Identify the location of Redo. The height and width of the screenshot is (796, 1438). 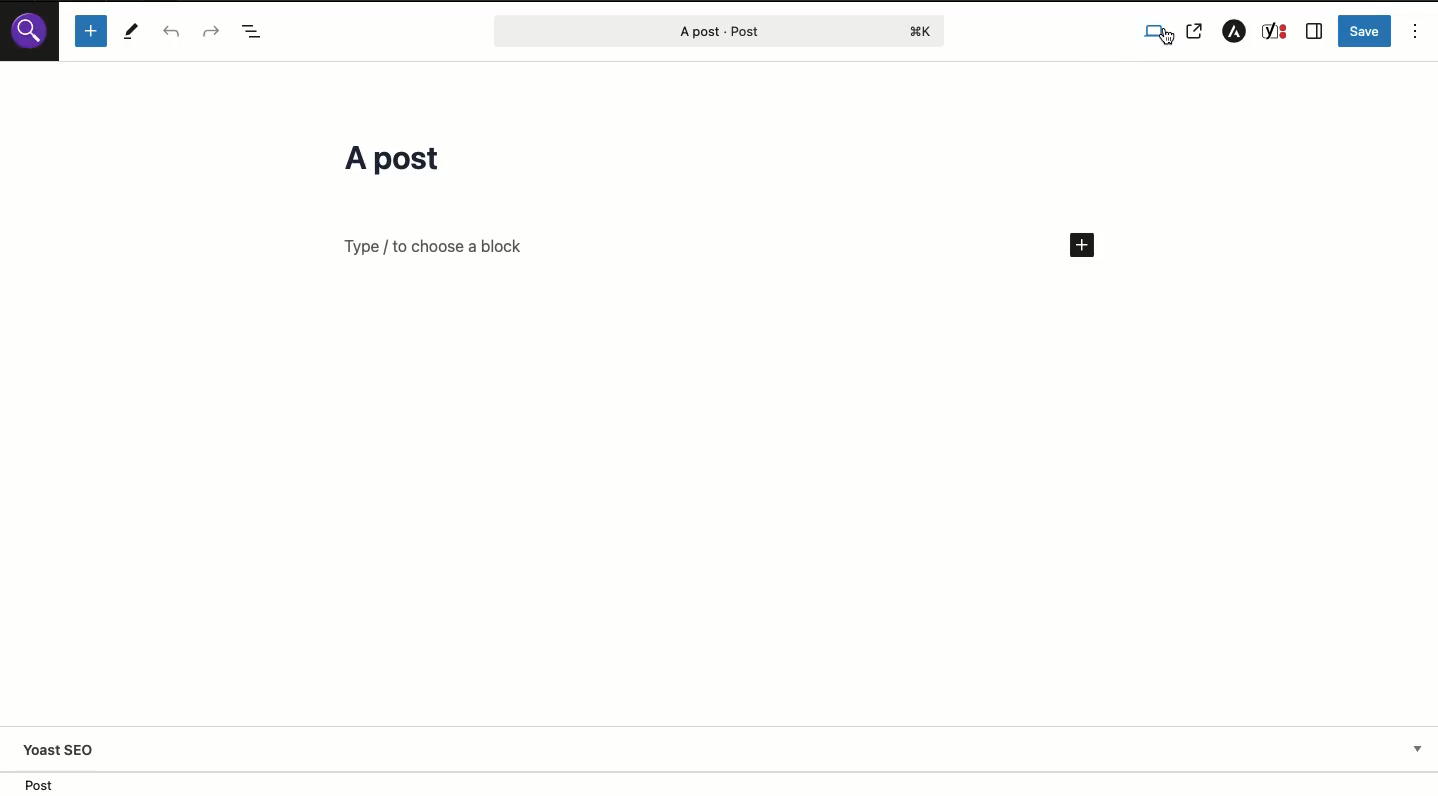
(211, 30).